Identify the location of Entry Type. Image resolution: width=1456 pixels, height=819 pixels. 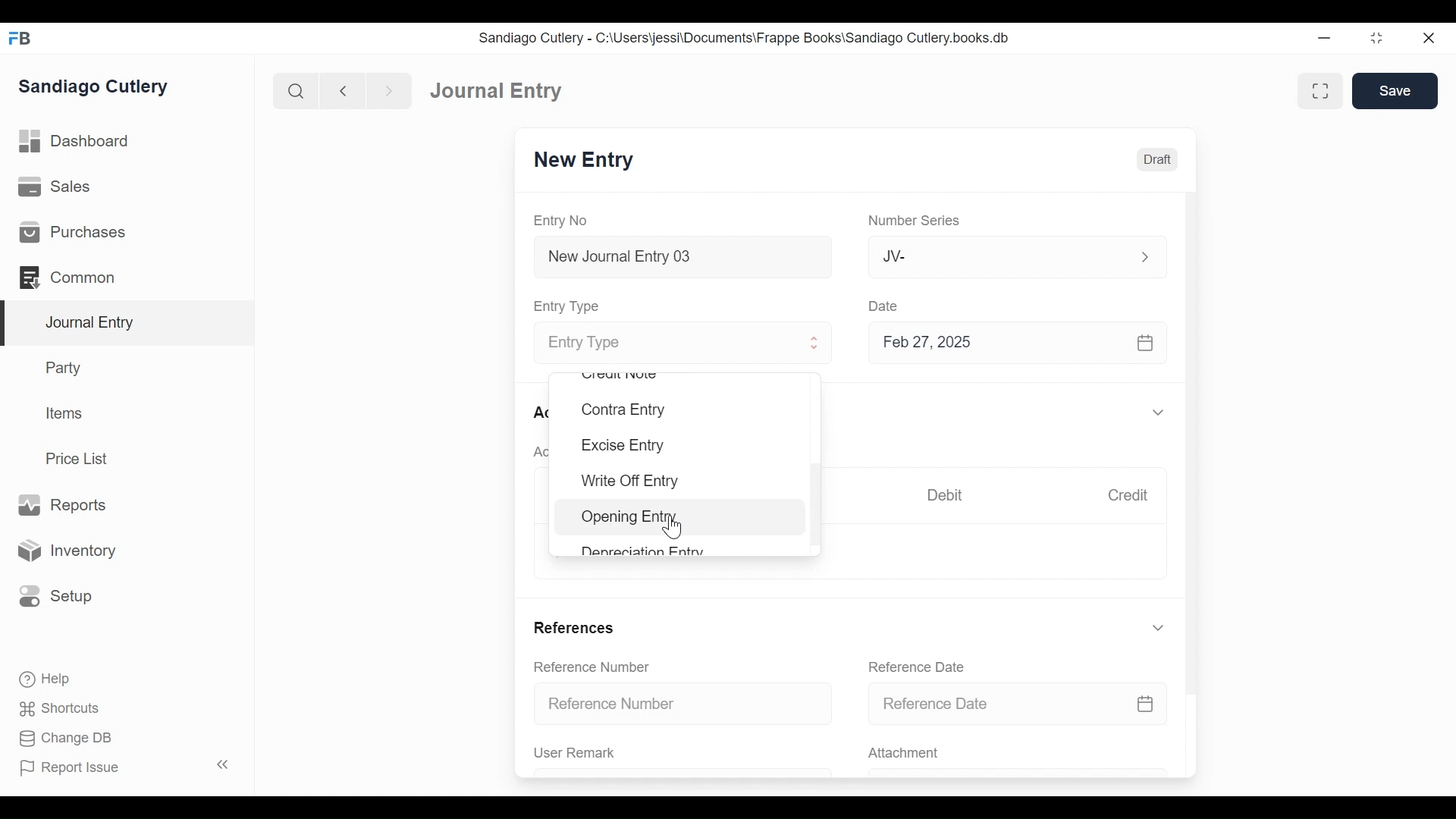
(570, 307).